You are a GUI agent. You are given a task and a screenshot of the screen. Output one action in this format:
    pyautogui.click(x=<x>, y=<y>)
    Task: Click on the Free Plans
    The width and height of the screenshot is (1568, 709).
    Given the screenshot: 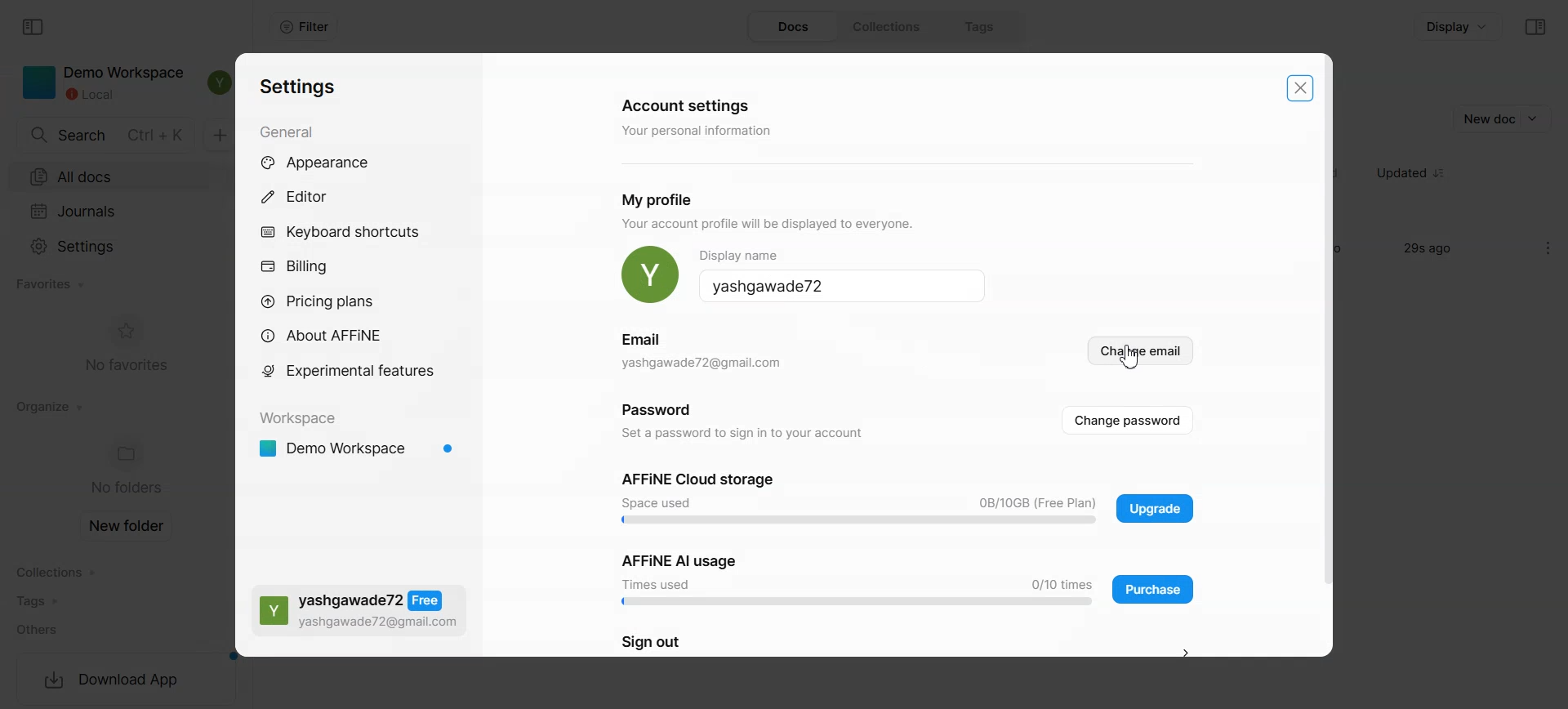 What is the action you would take?
    pyautogui.click(x=355, y=613)
    